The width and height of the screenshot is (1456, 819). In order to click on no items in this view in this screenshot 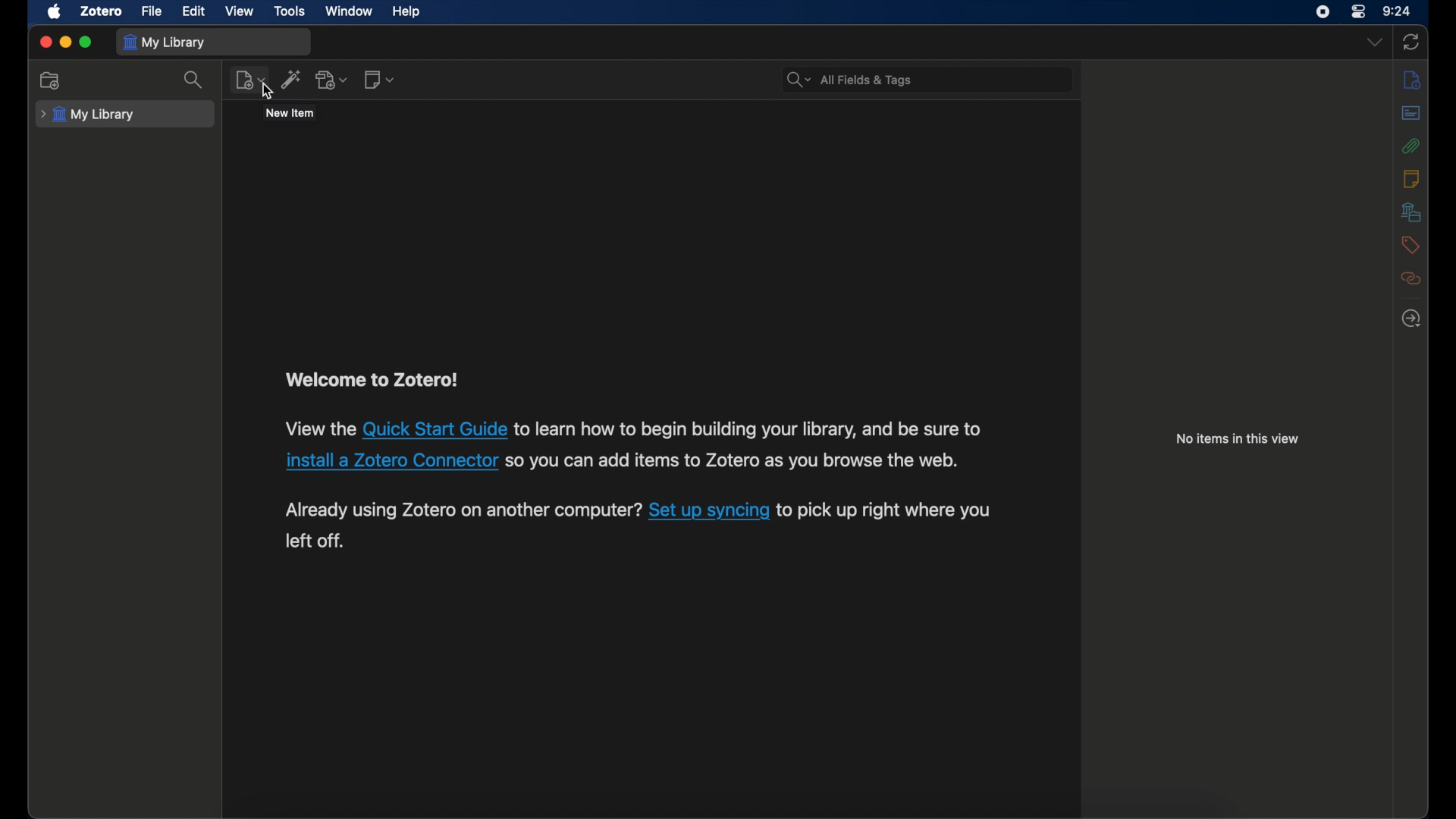, I will do `click(1237, 440)`.